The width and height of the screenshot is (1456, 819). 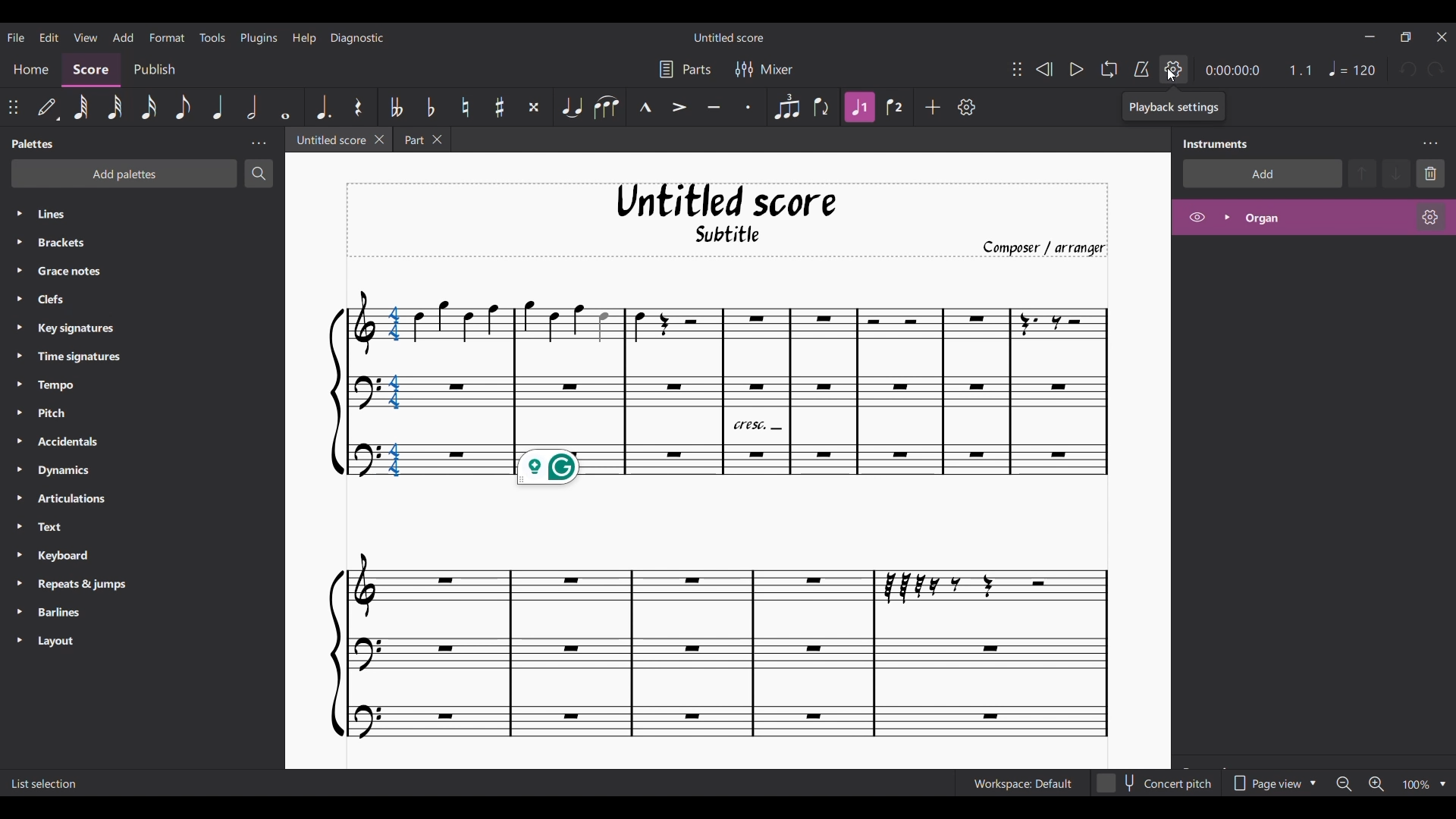 I want to click on Move selection down, so click(x=1397, y=173).